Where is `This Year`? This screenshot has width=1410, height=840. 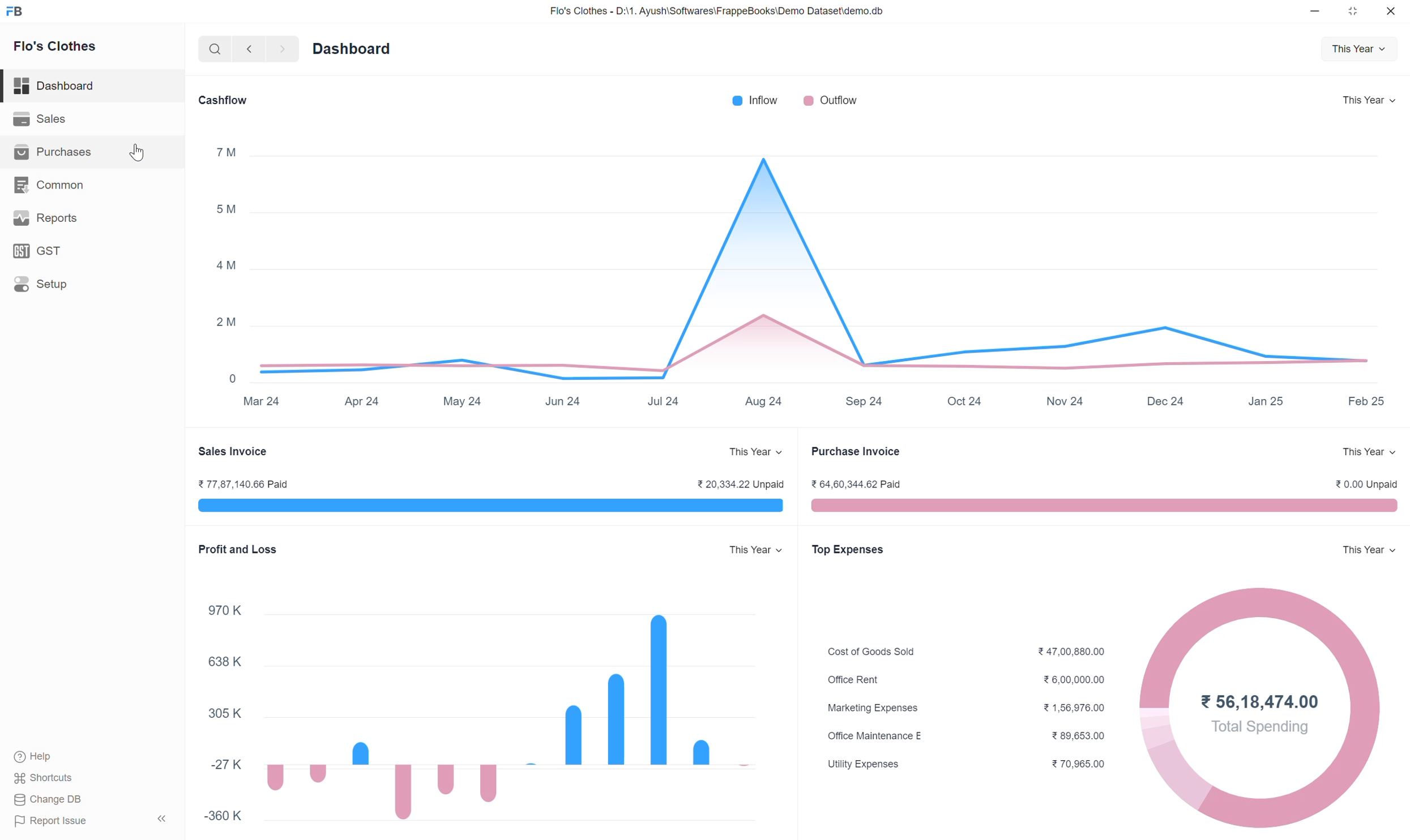
This Year is located at coordinates (755, 550).